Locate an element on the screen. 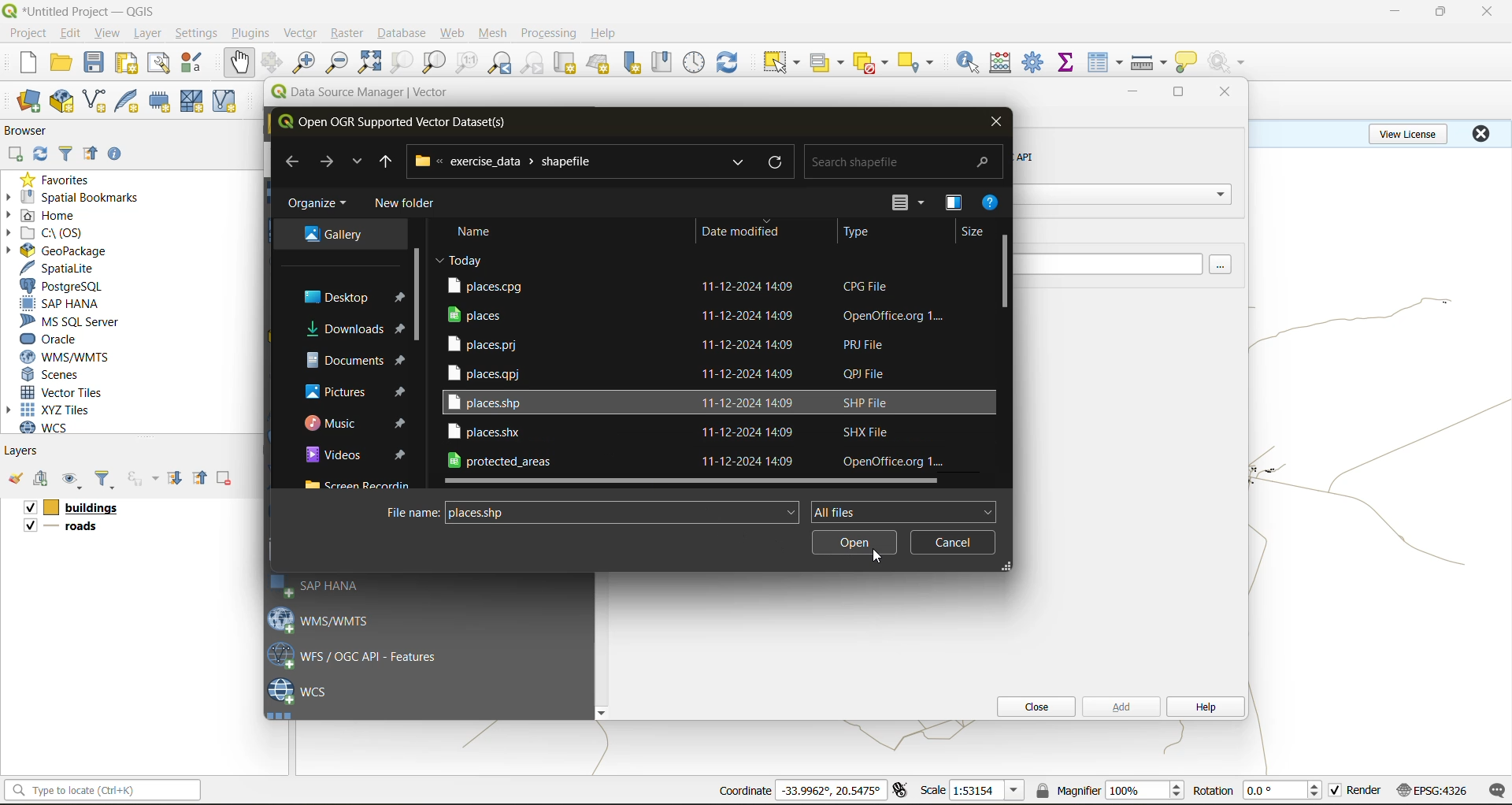 The height and width of the screenshot is (805, 1512). spatialite is located at coordinates (65, 269).